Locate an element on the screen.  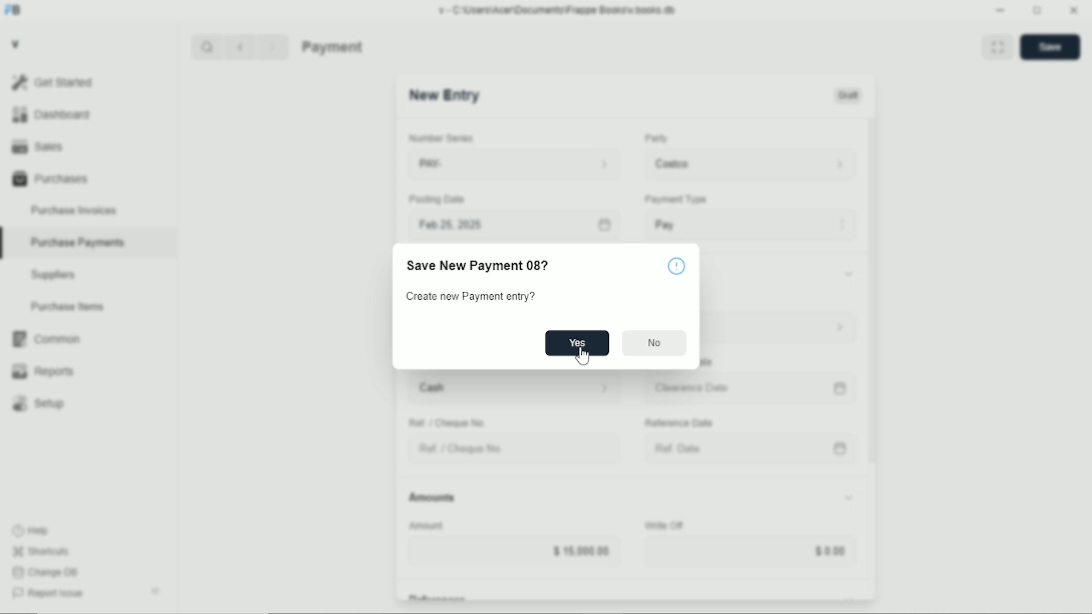
‘Save New Payment 08? is located at coordinates (474, 267).